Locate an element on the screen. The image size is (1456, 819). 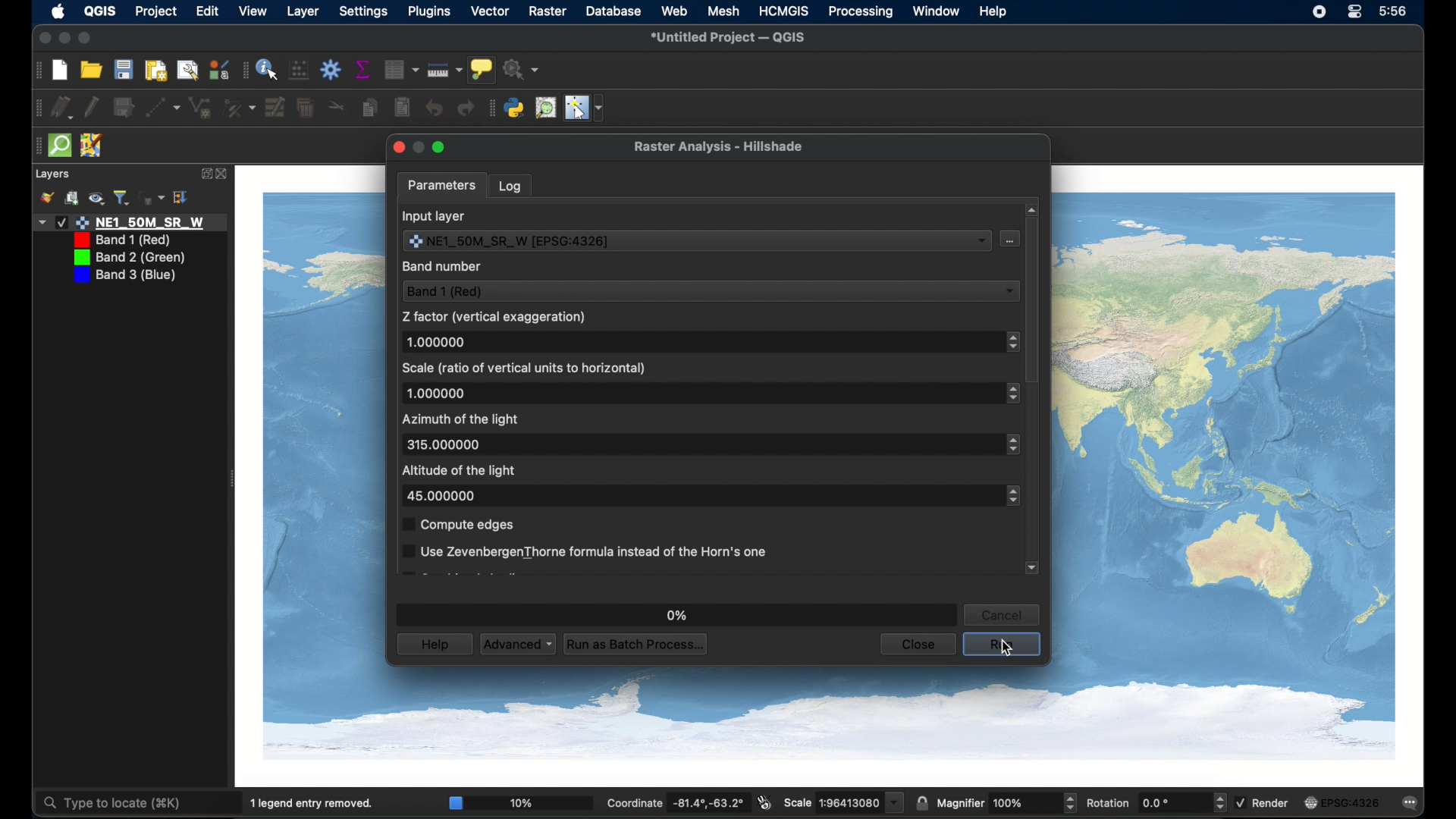
parameters is located at coordinates (441, 187).